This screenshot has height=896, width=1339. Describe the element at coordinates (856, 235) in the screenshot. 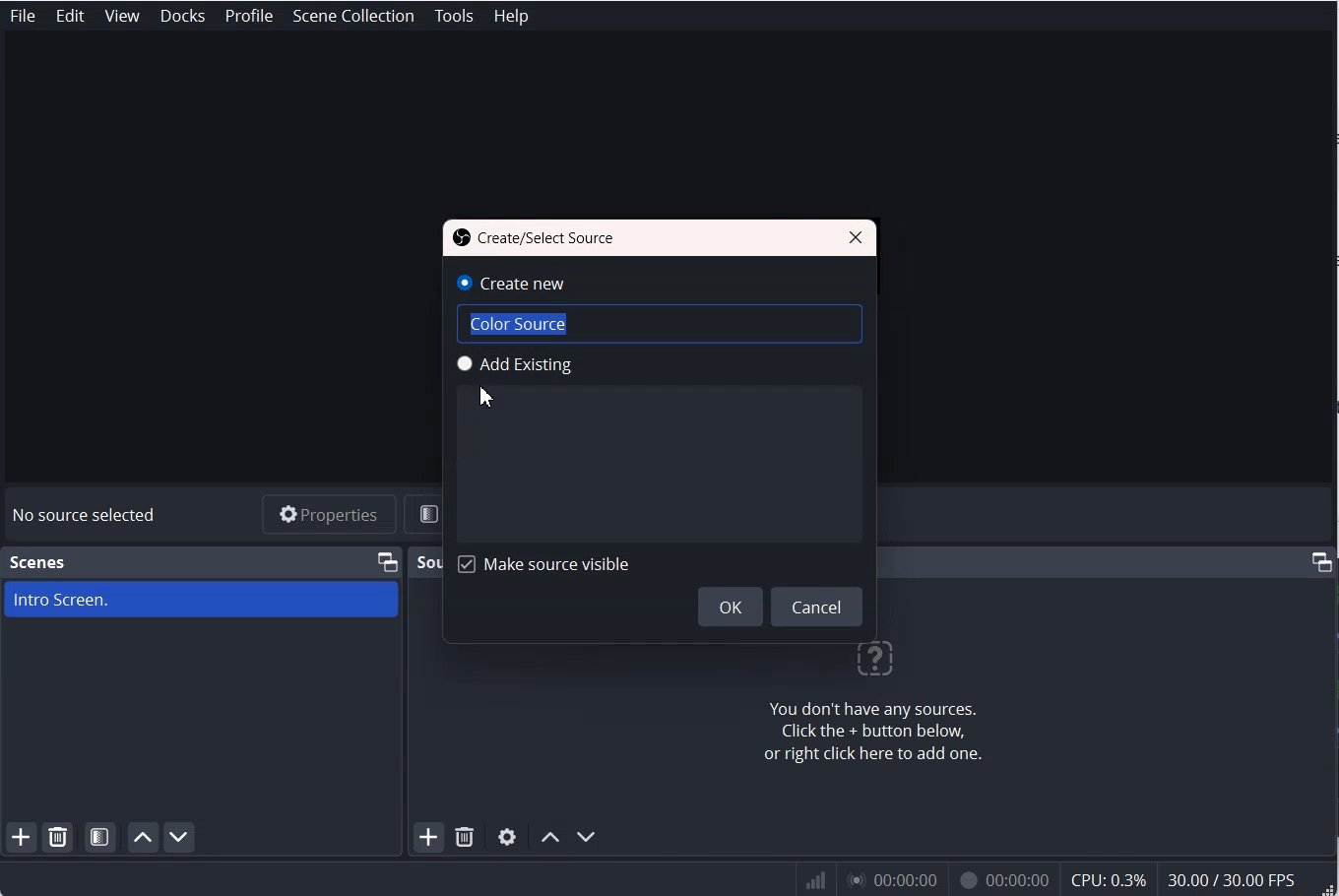

I see `Close` at that location.